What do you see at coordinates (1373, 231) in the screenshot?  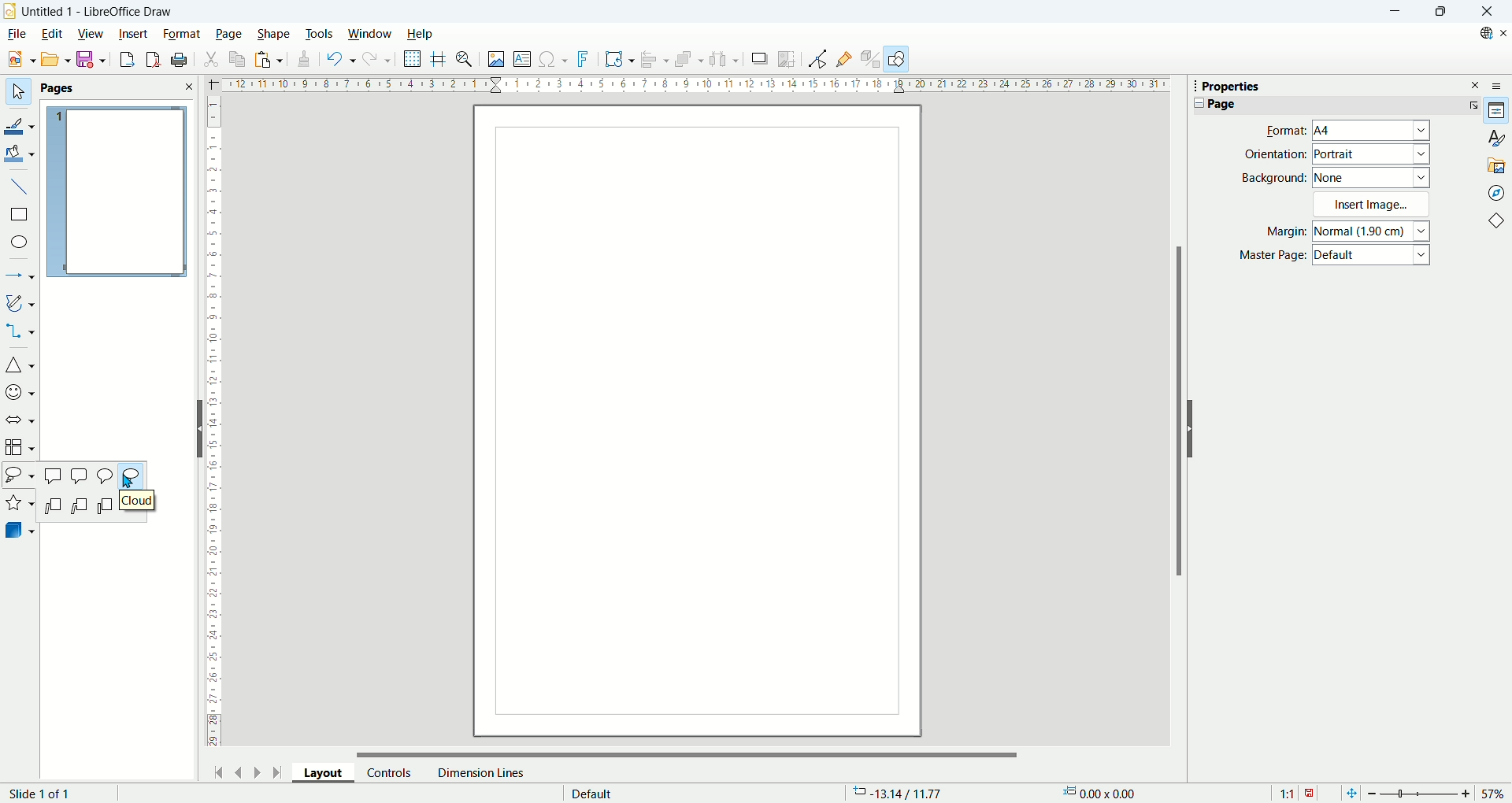 I see `Normal` at bounding box center [1373, 231].